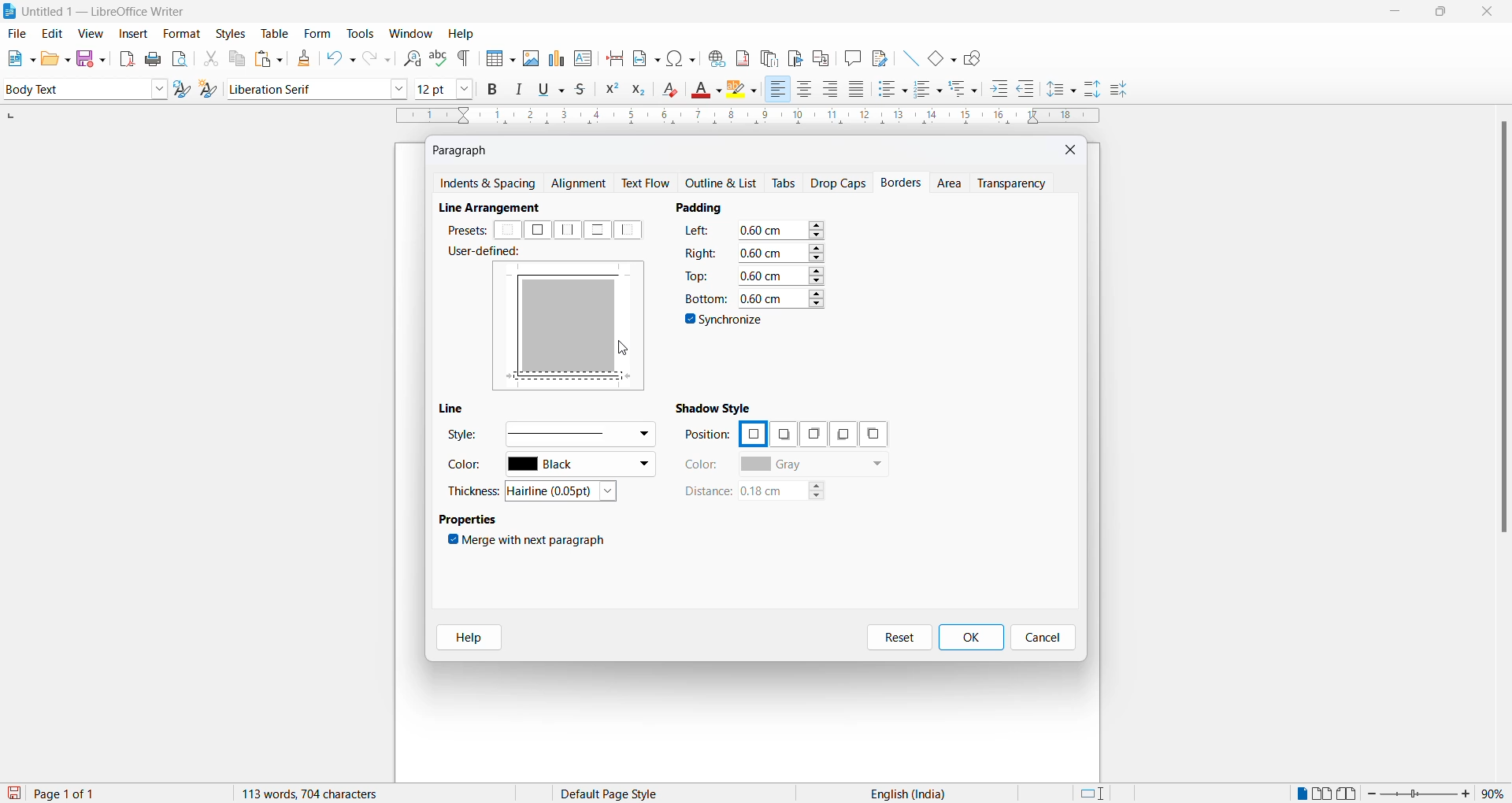 The image size is (1512, 803). I want to click on insert bookmarks, so click(795, 56).